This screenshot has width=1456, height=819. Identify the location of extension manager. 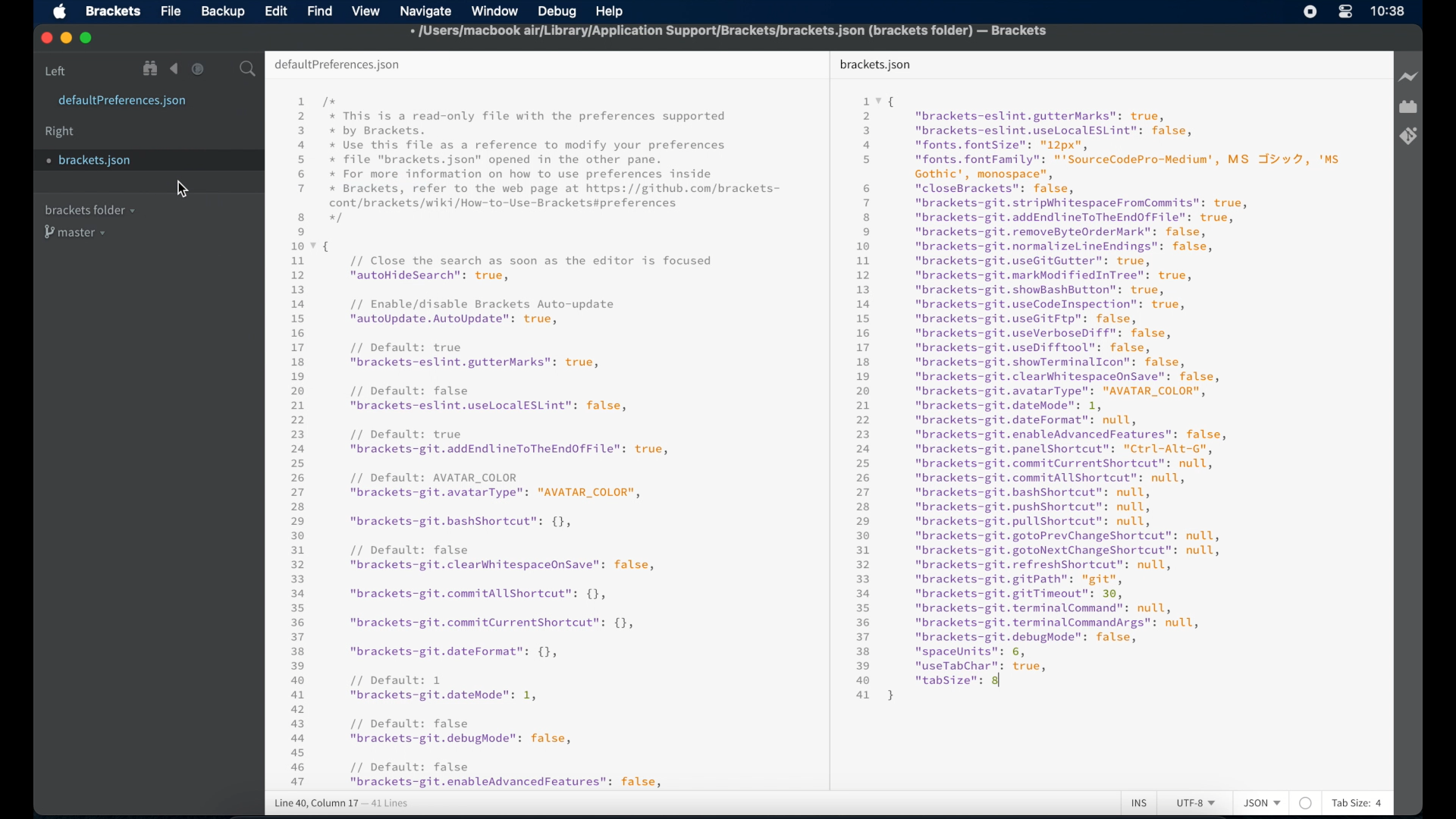
(1408, 107).